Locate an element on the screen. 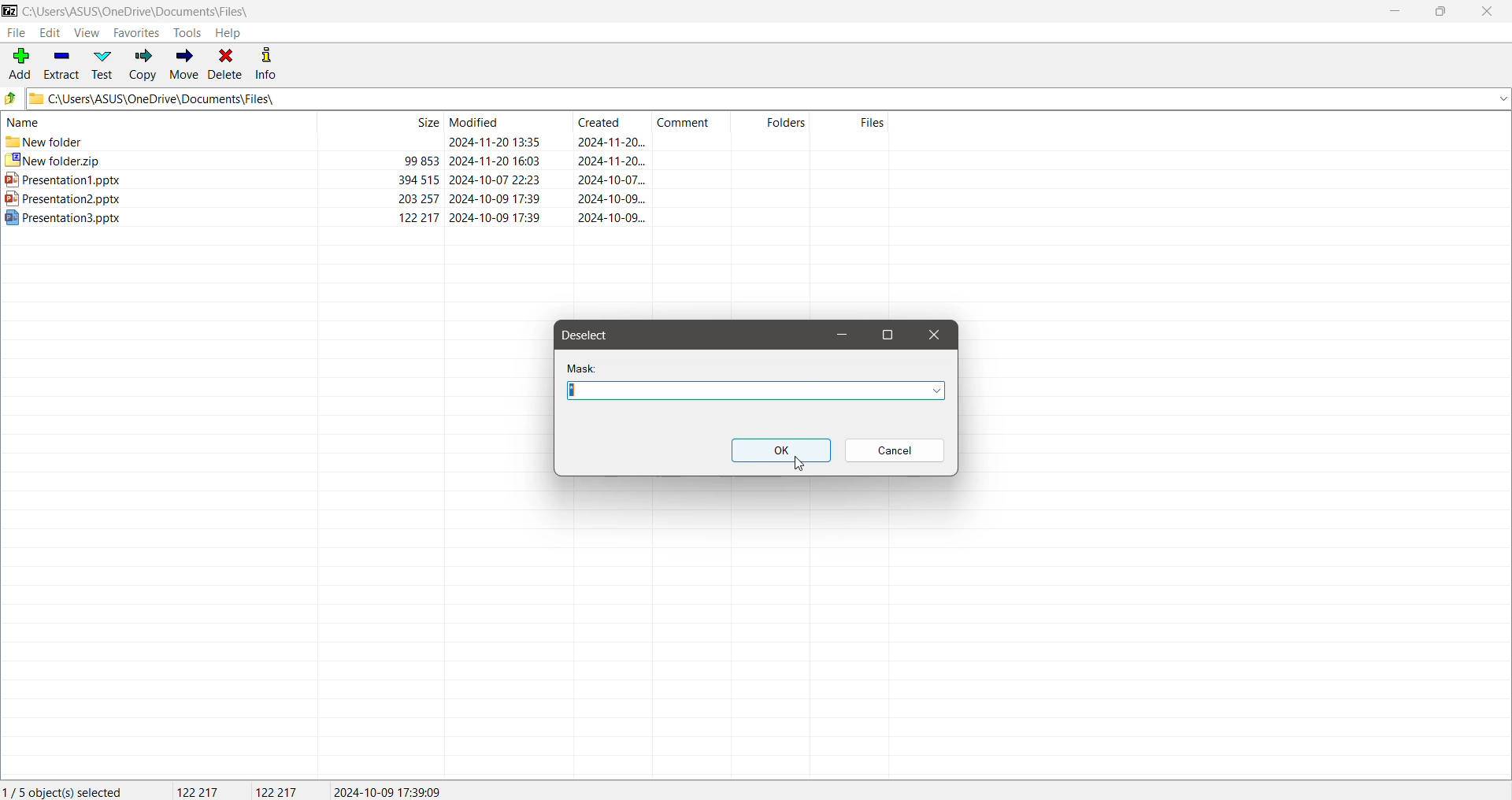 The width and height of the screenshot is (1512, 800). Test is located at coordinates (102, 64).